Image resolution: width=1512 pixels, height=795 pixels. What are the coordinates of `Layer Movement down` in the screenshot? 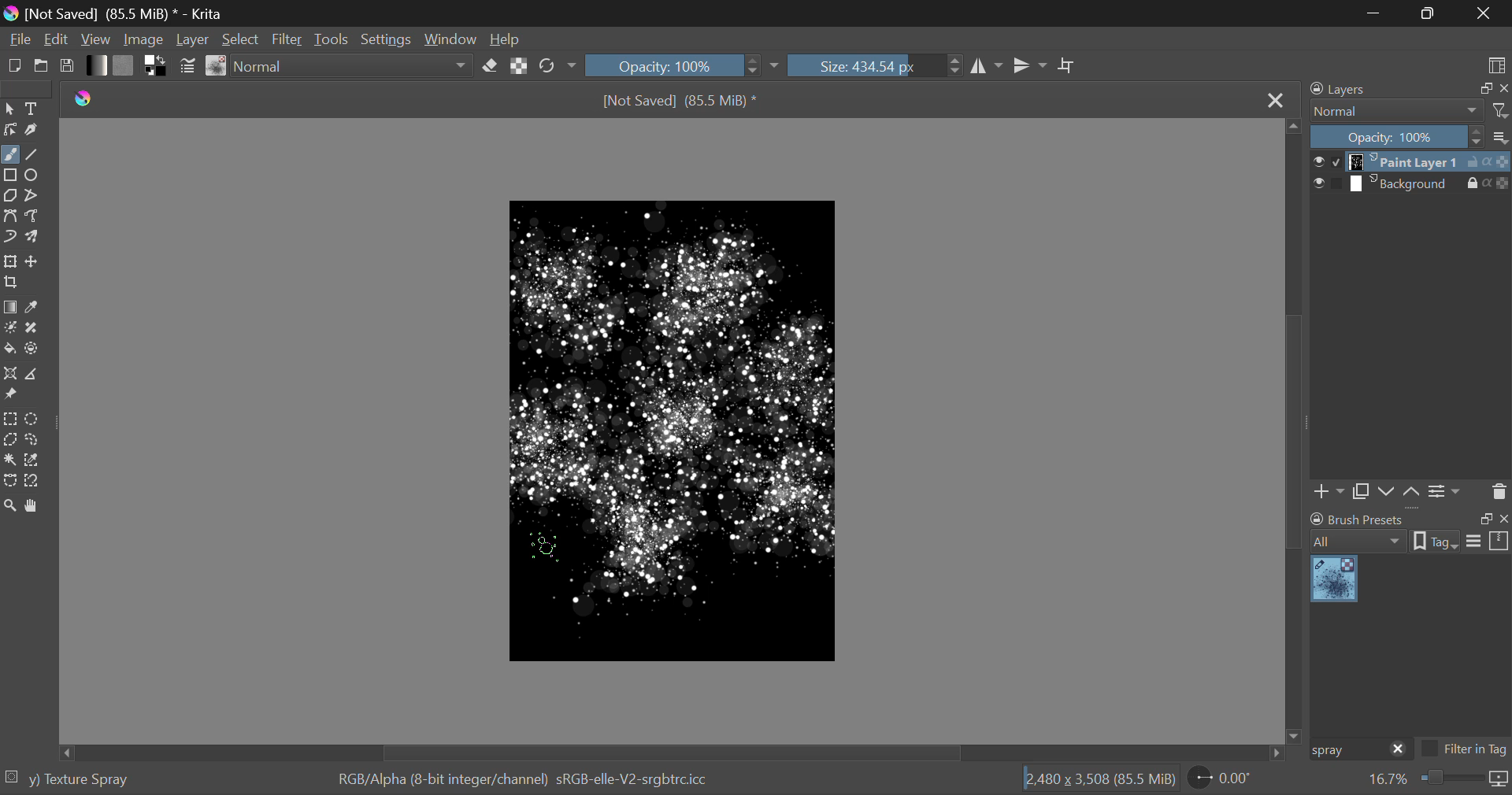 It's located at (1388, 493).